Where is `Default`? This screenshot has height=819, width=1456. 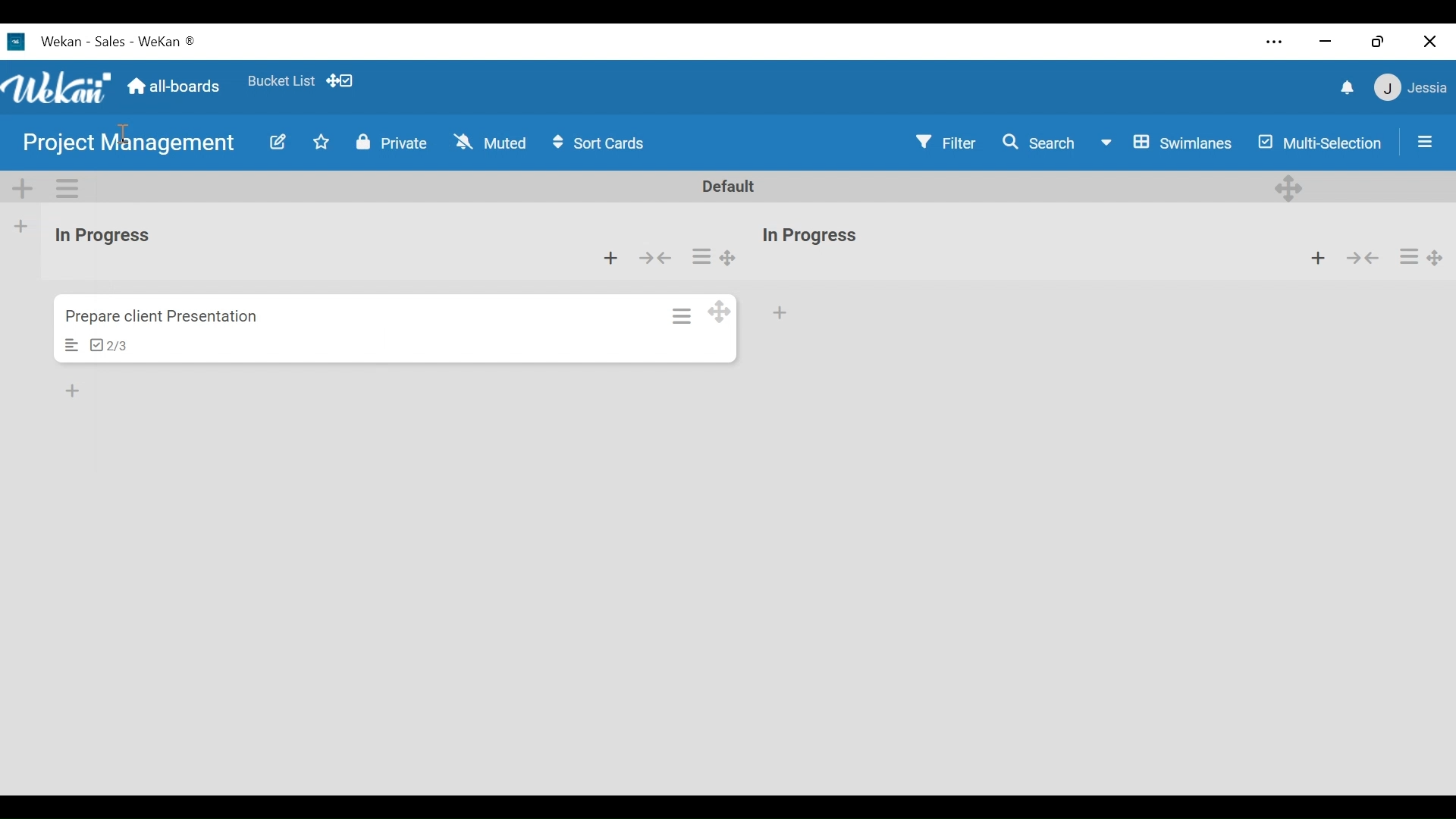 Default is located at coordinates (726, 186).